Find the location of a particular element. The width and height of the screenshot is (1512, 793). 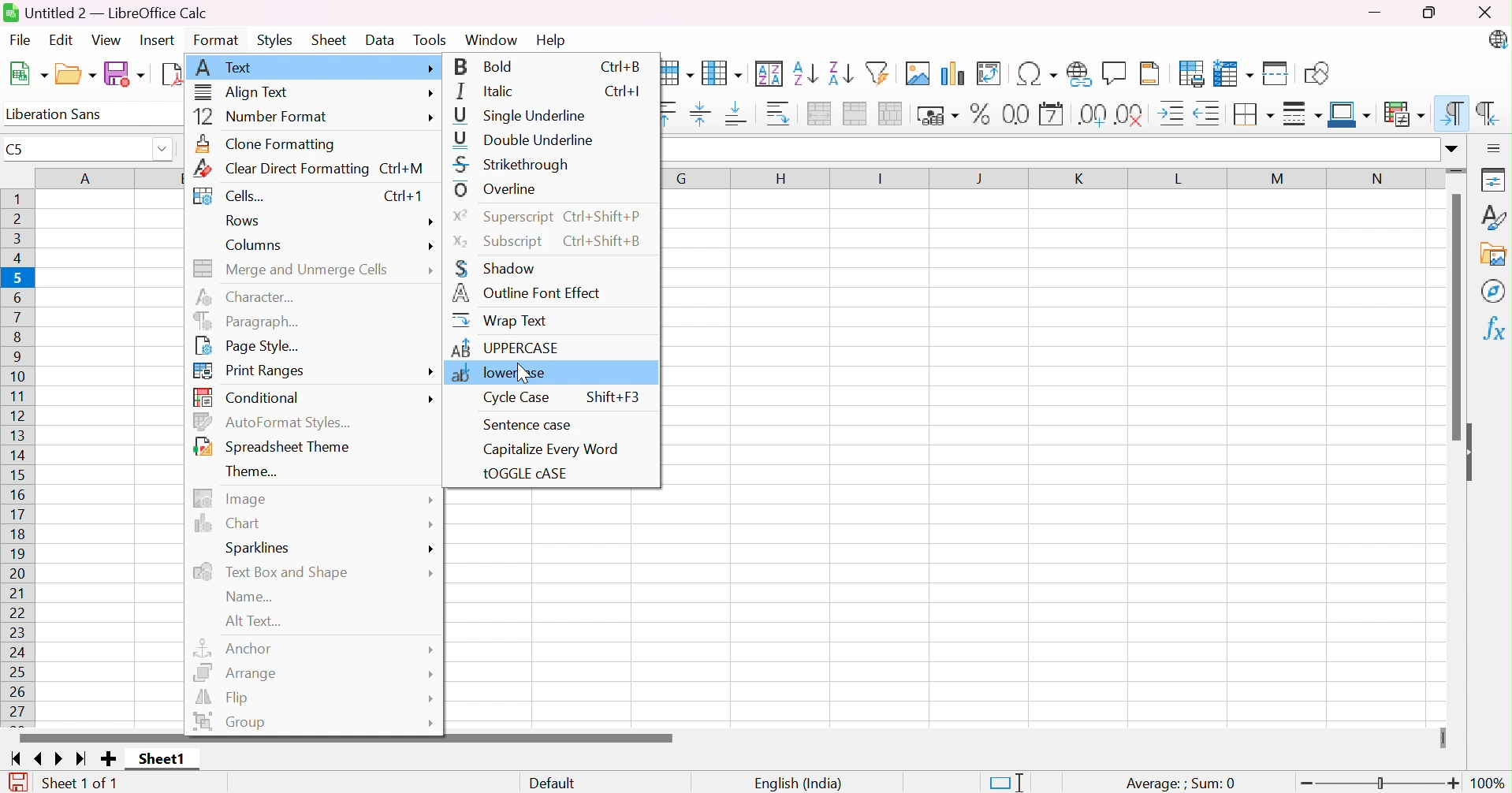

Format as Percent is located at coordinates (981, 113).